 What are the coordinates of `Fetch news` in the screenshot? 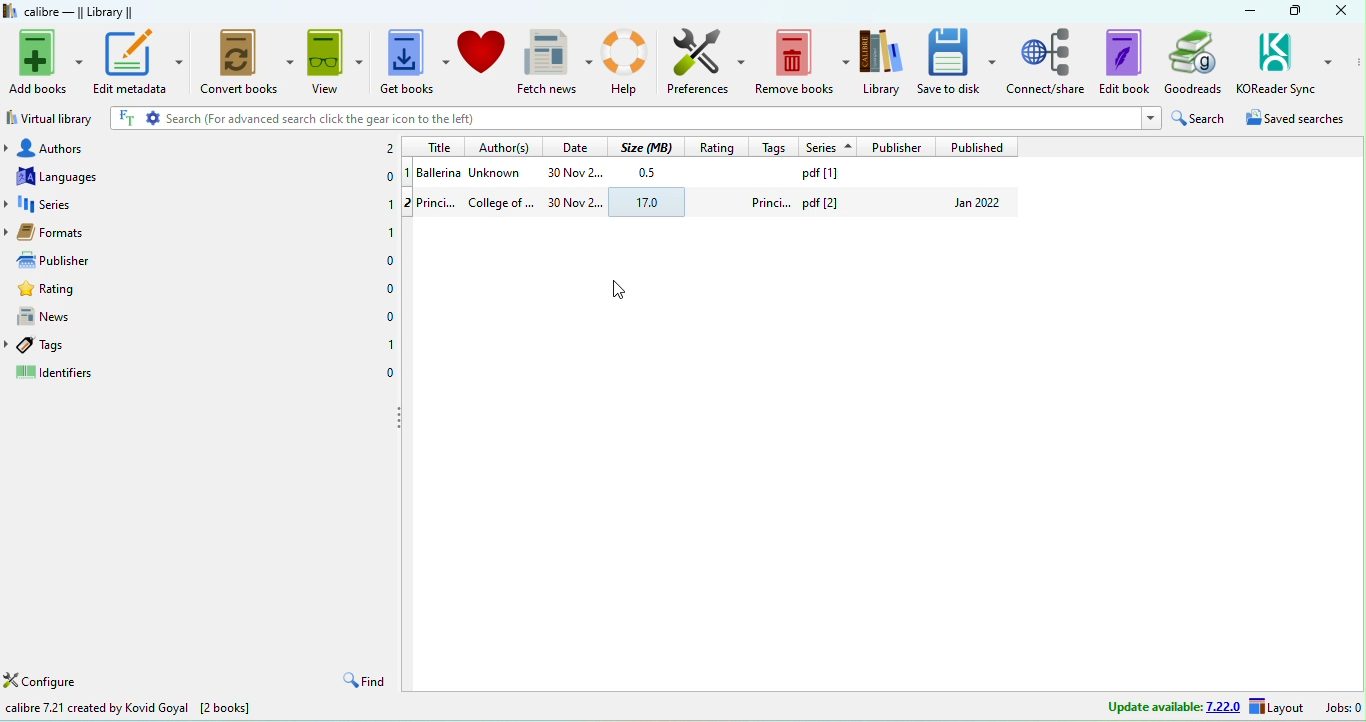 It's located at (555, 62).